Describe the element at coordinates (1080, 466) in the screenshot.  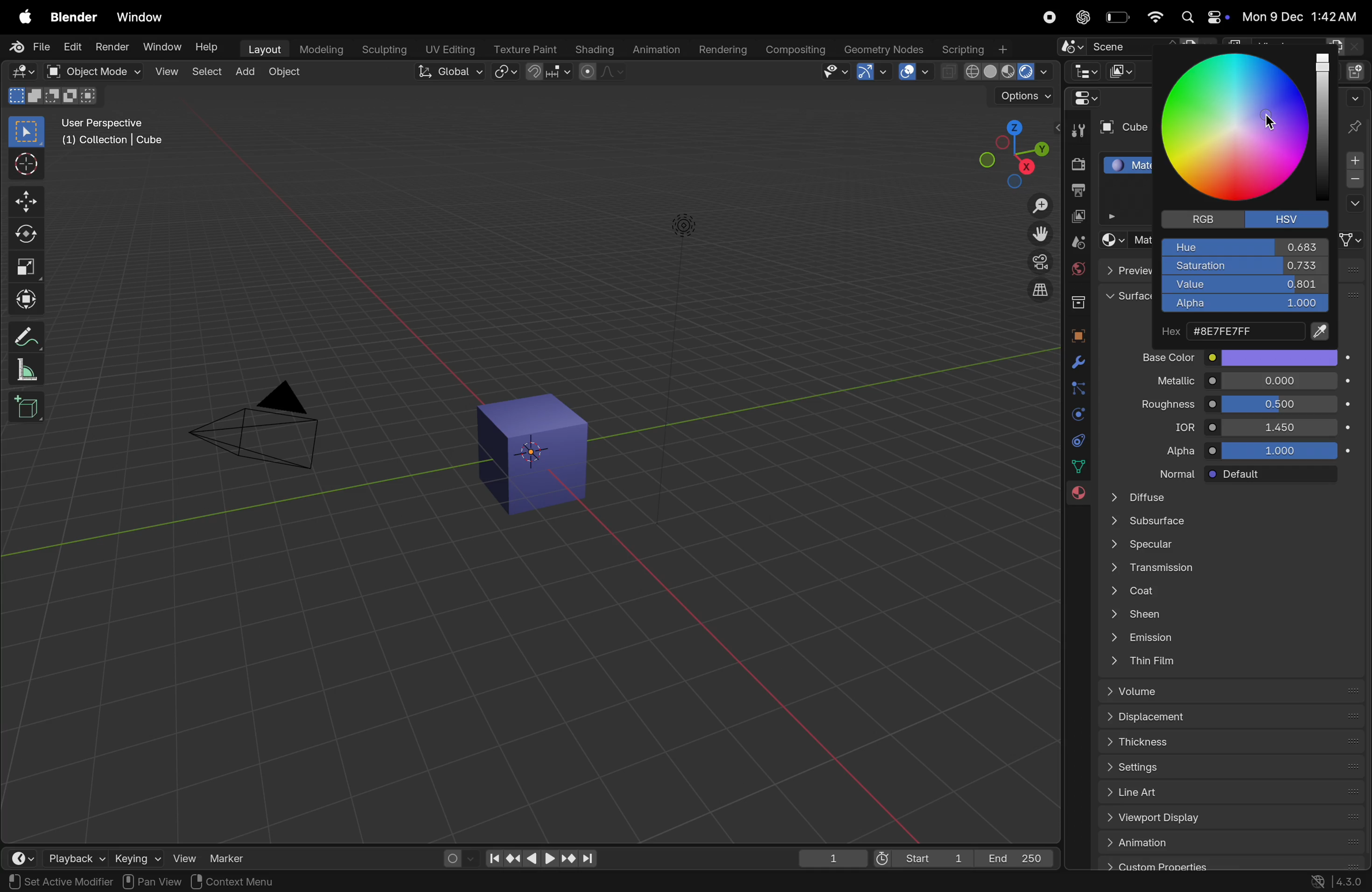
I see `data` at that location.